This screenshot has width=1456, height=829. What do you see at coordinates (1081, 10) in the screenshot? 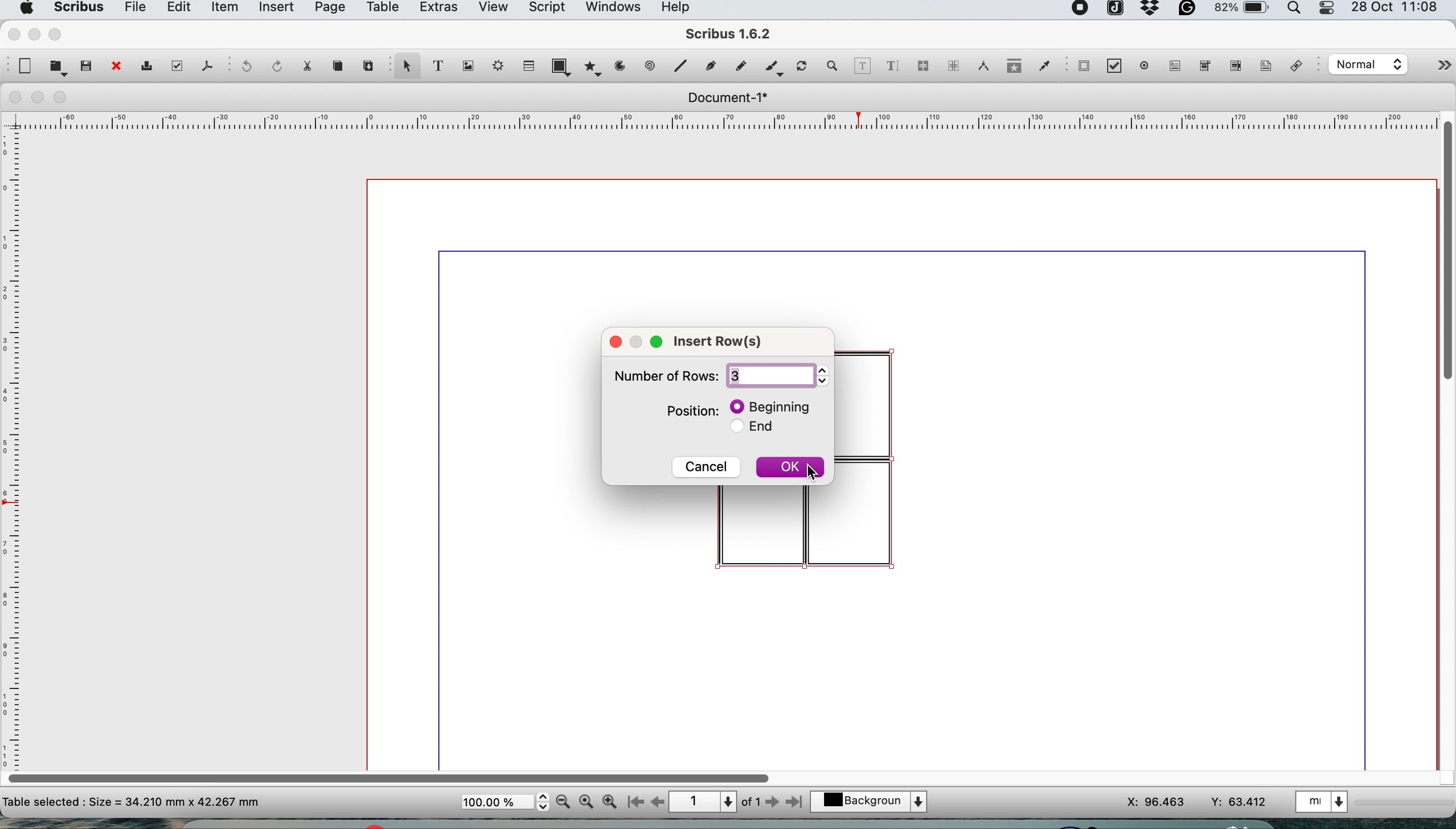
I see `screen recorder` at bounding box center [1081, 10].